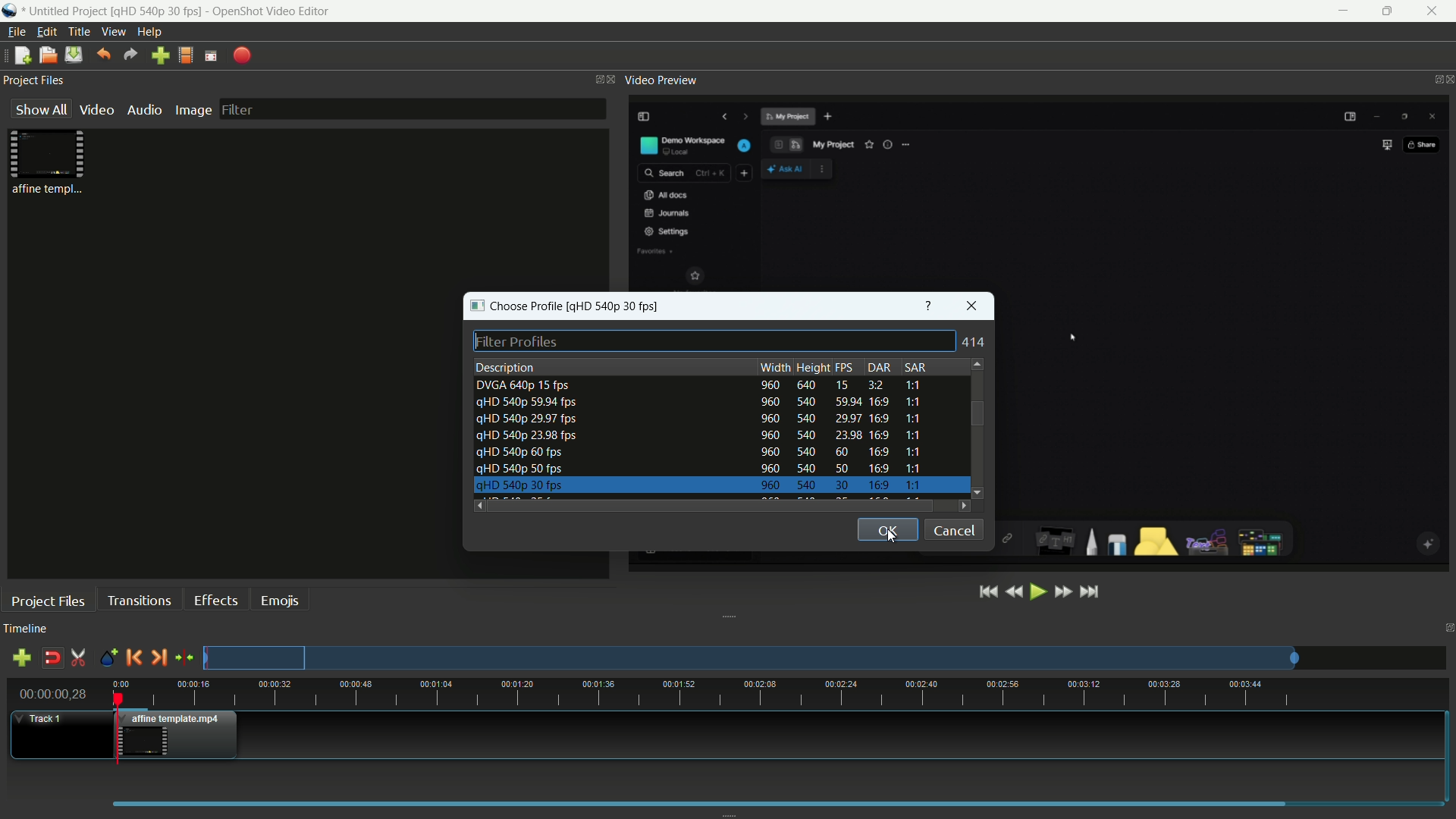  I want to click on 414, so click(976, 342).